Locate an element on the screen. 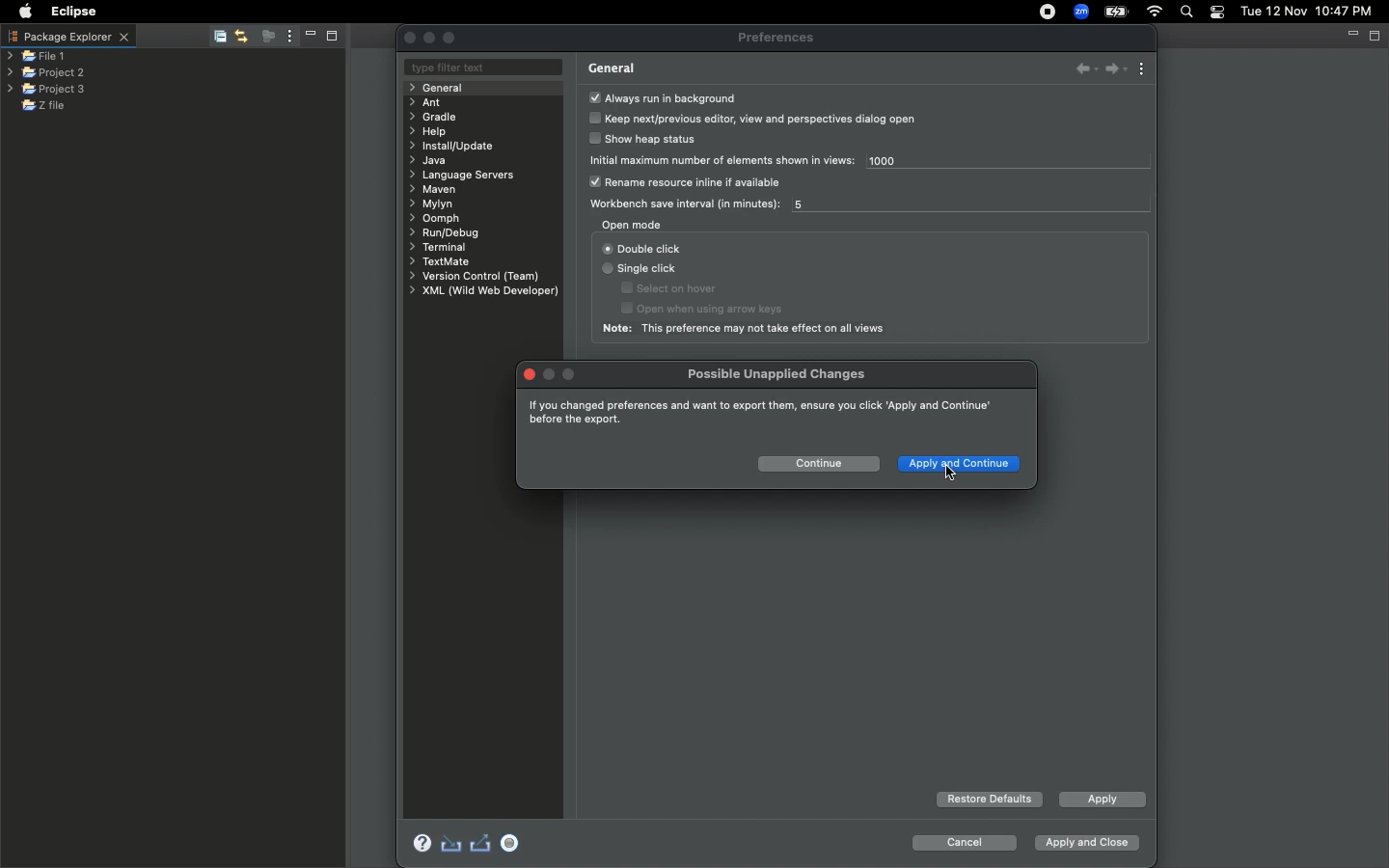 The image size is (1389, 868). Forward is located at coordinates (1114, 69).